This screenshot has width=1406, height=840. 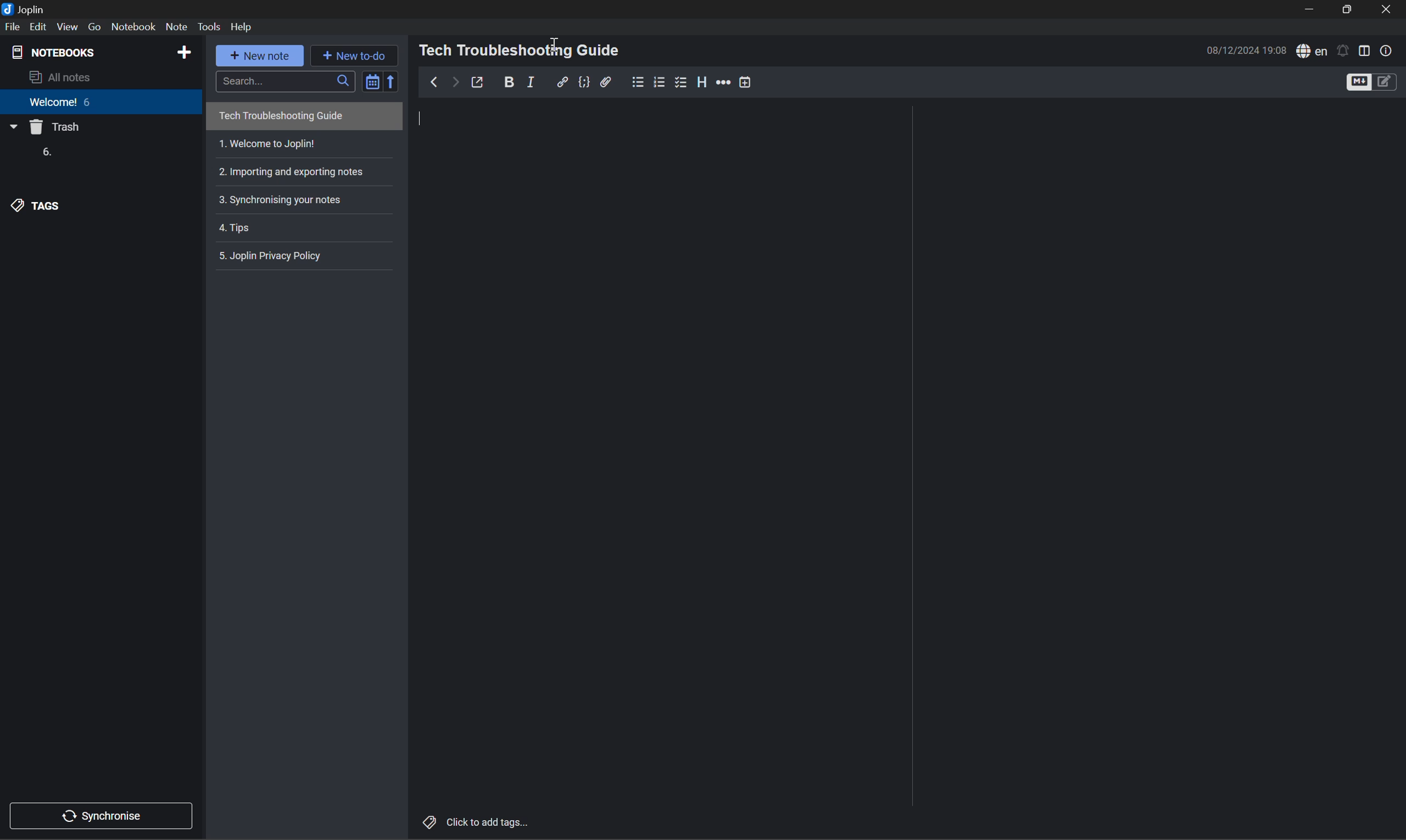 What do you see at coordinates (452, 83) in the screenshot?
I see `Forward` at bounding box center [452, 83].